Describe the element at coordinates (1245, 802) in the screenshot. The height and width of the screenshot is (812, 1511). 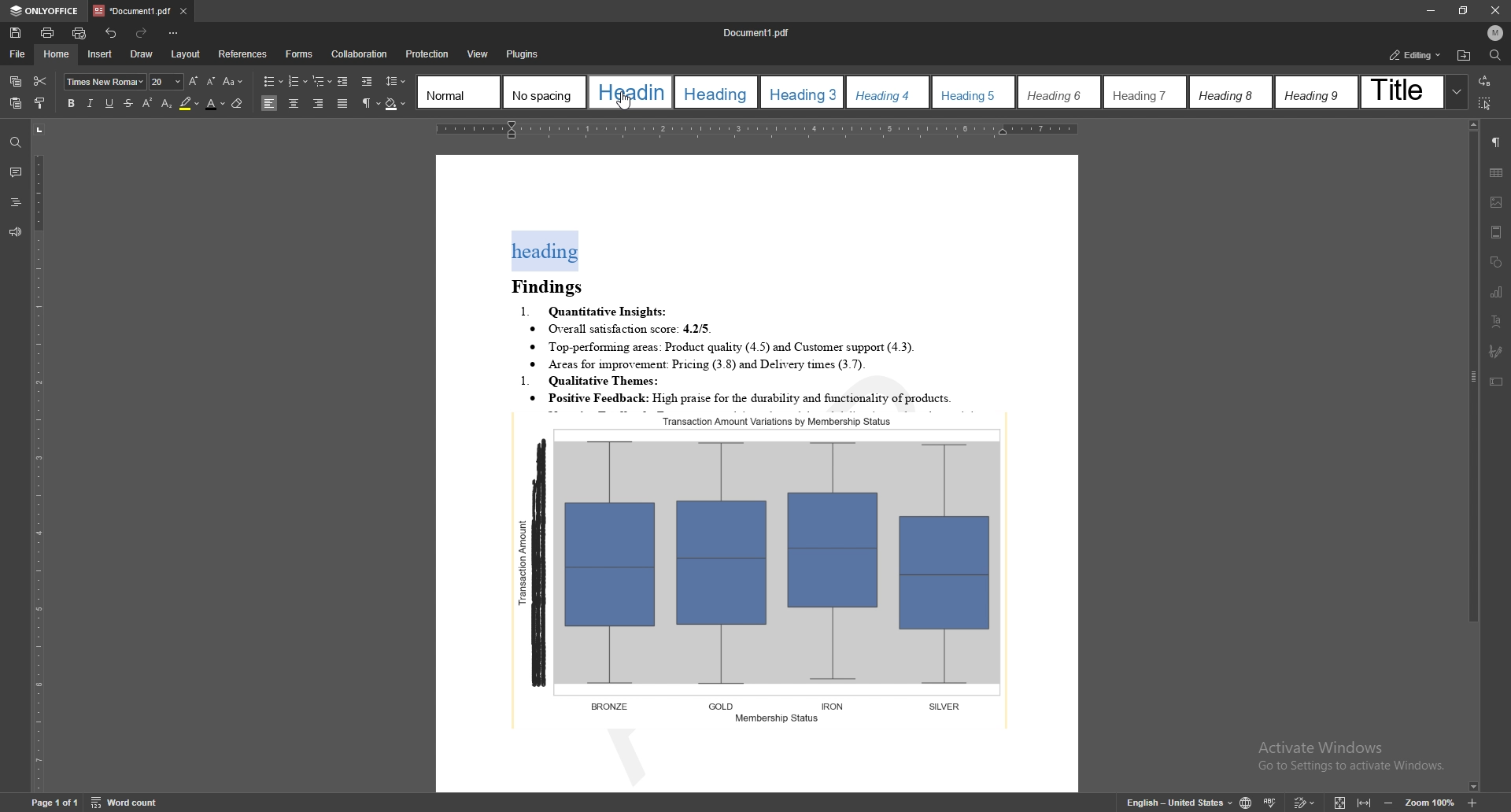
I see `change doc language` at that location.